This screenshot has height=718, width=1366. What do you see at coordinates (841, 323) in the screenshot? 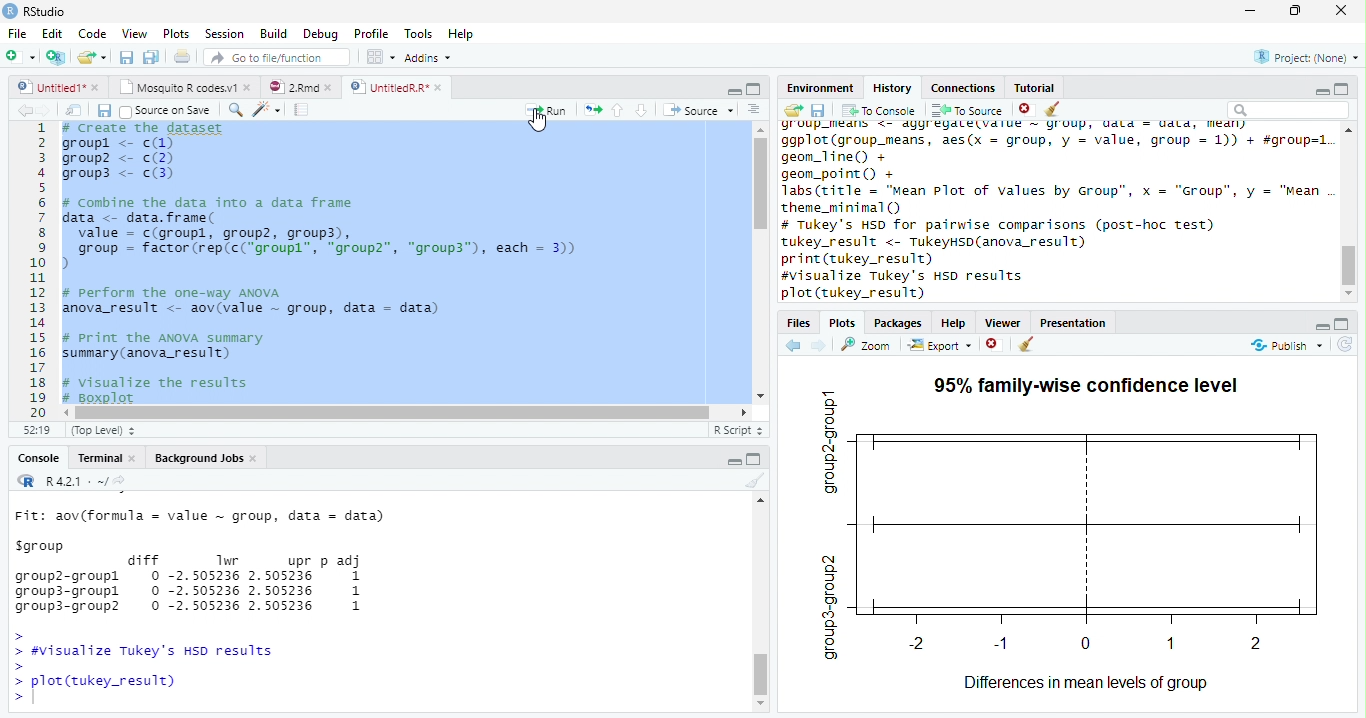
I see `Plots` at bounding box center [841, 323].